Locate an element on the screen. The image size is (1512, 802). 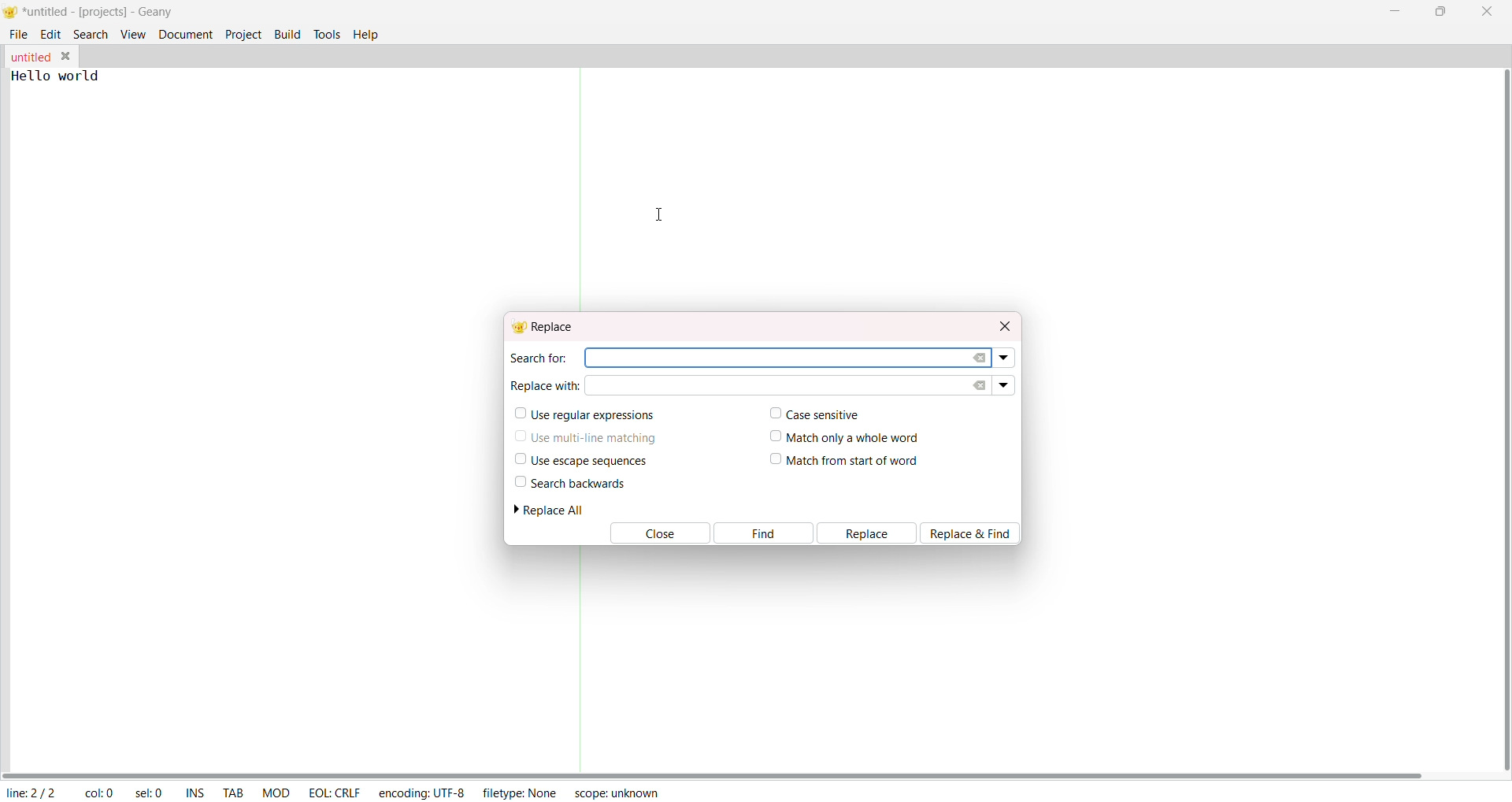
replace dropdown is located at coordinates (1003, 384).